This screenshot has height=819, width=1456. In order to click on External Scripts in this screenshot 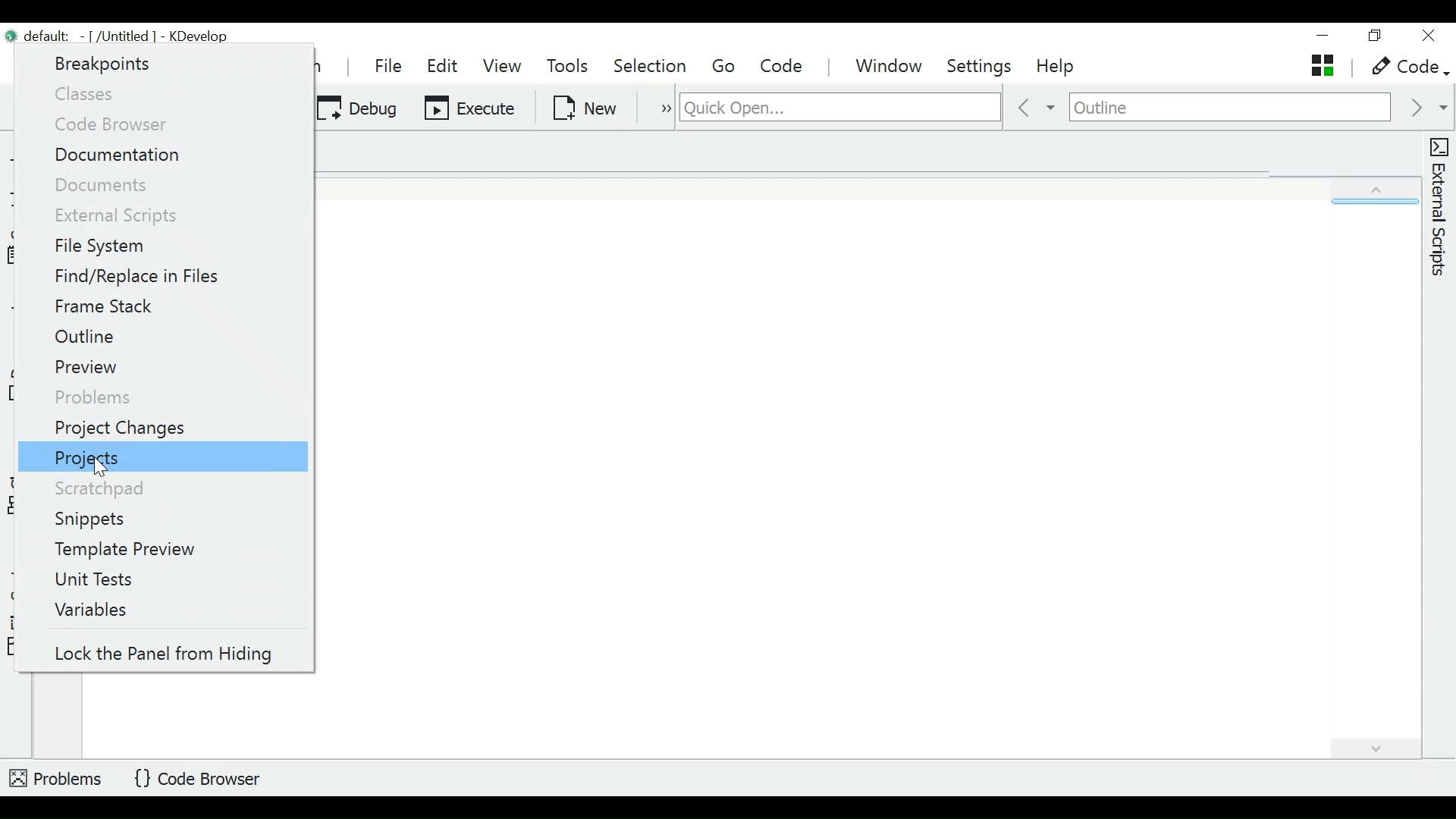, I will do `click(119, 216)`.